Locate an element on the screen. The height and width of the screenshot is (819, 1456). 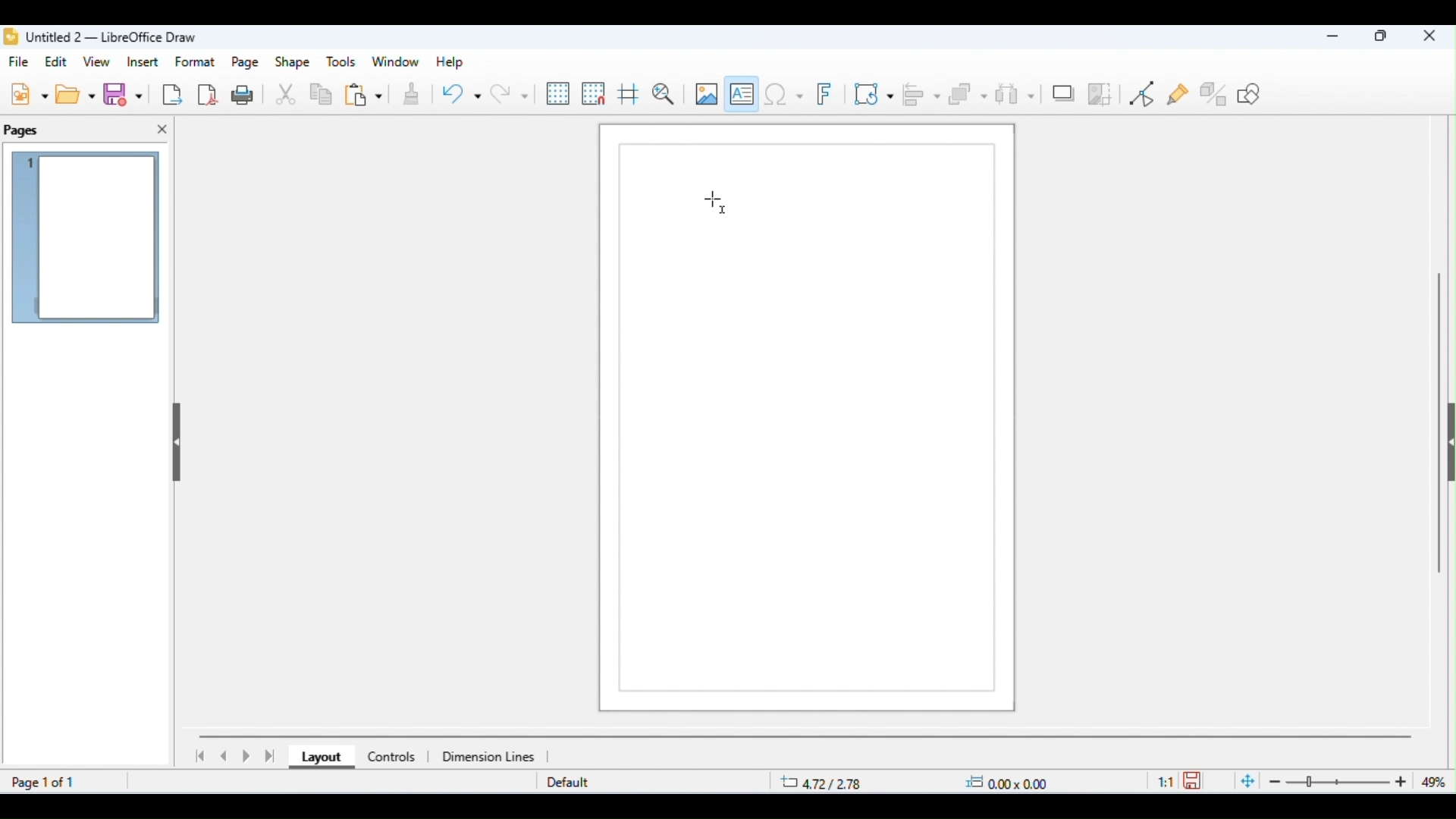
insert special characters is located at coordinates (783, 93).